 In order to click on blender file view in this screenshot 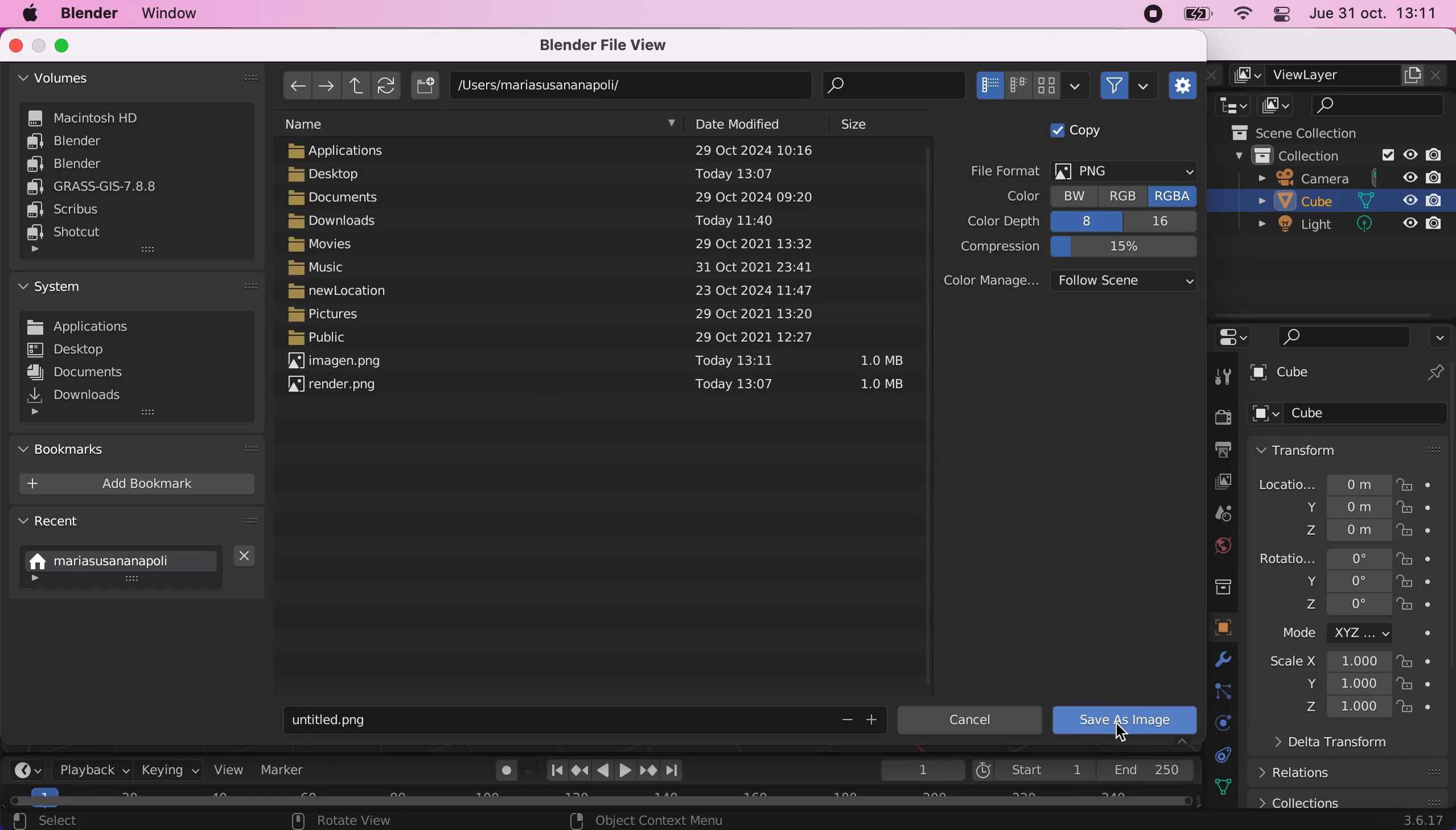, I will do `click(606, 44)`.